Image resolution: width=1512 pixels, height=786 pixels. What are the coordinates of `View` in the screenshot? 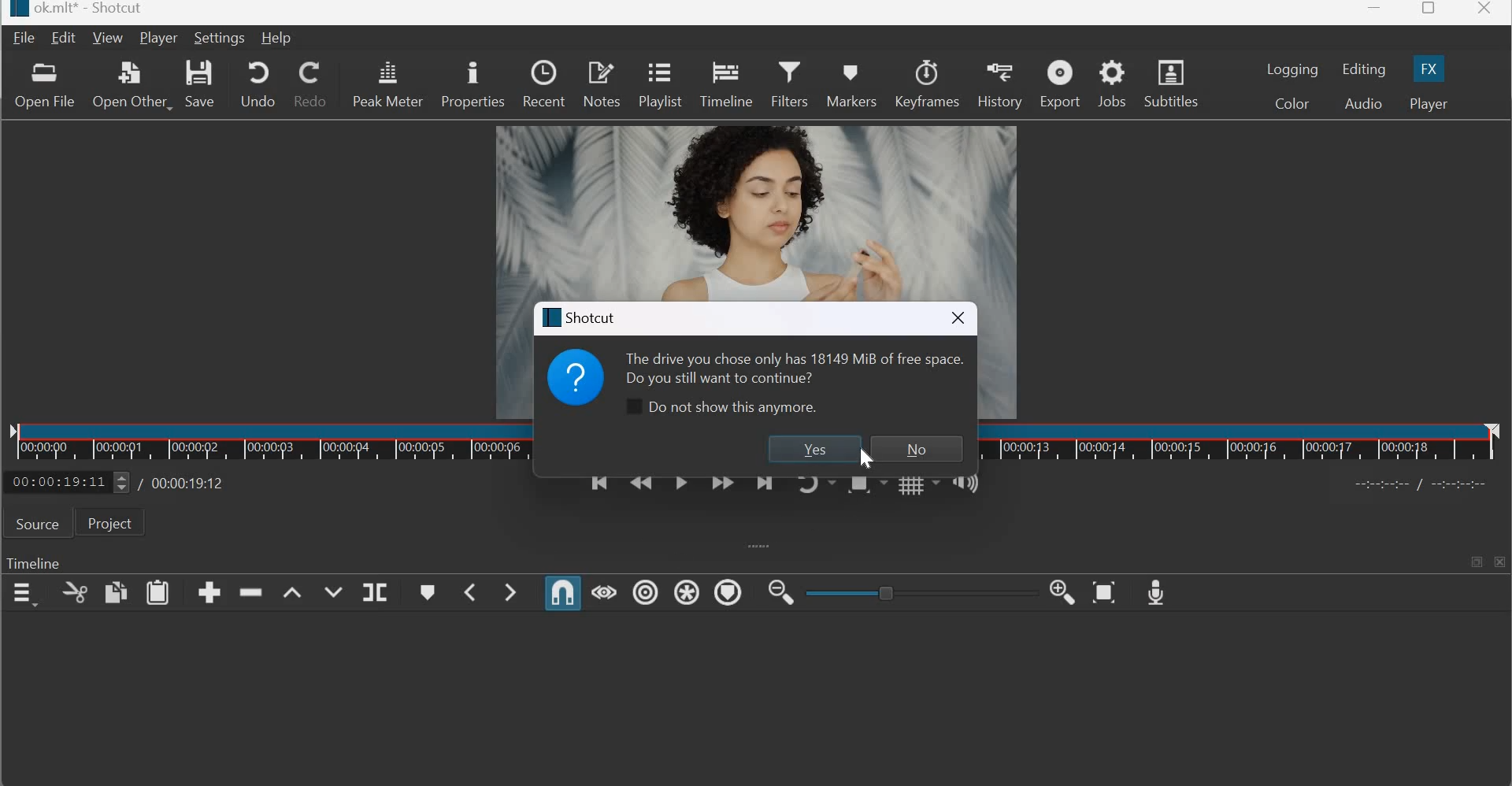 It's located at (108, 39).